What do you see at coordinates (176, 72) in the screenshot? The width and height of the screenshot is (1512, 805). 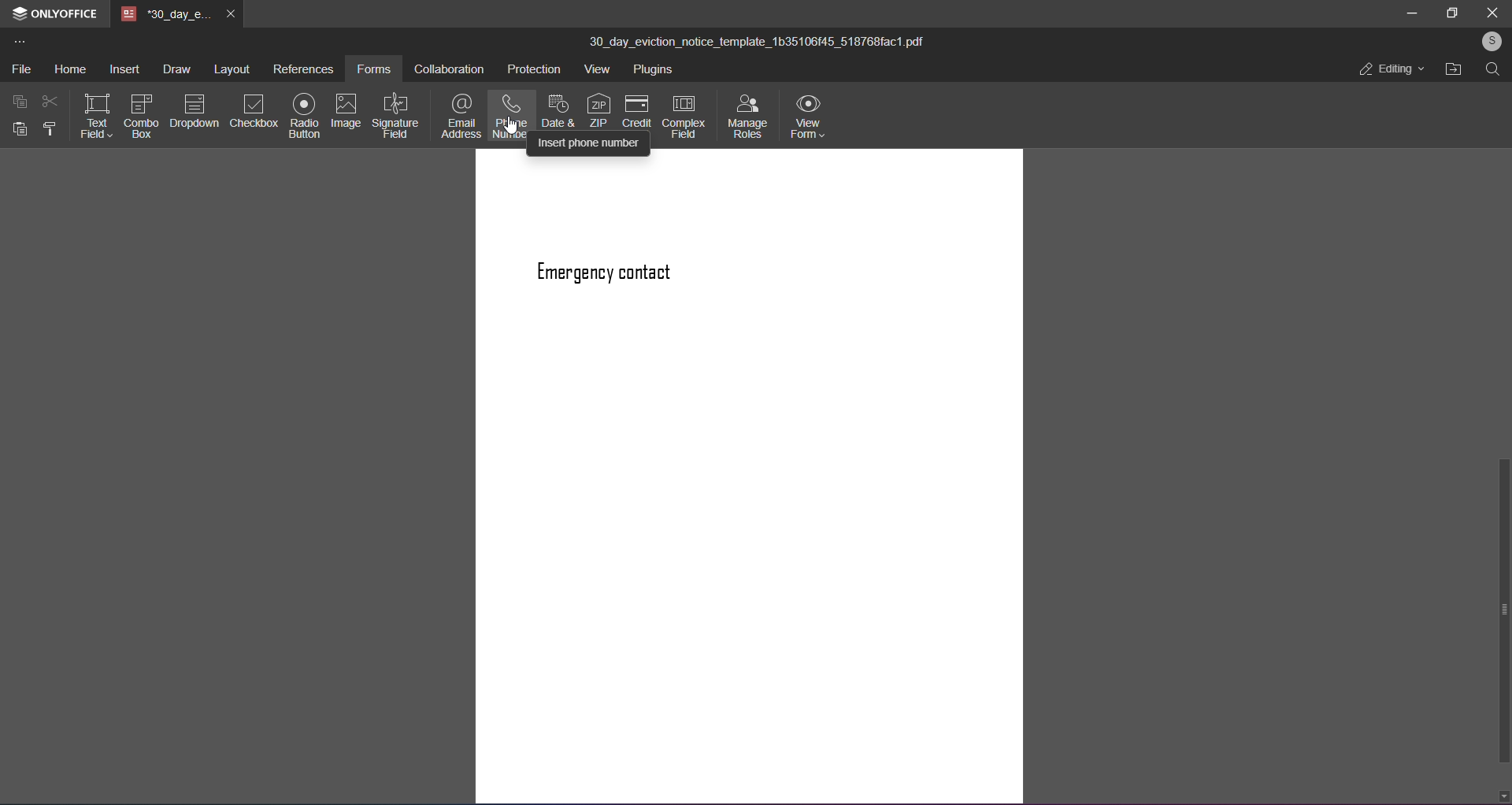 I see `draw` at bounding box center [176, 72].